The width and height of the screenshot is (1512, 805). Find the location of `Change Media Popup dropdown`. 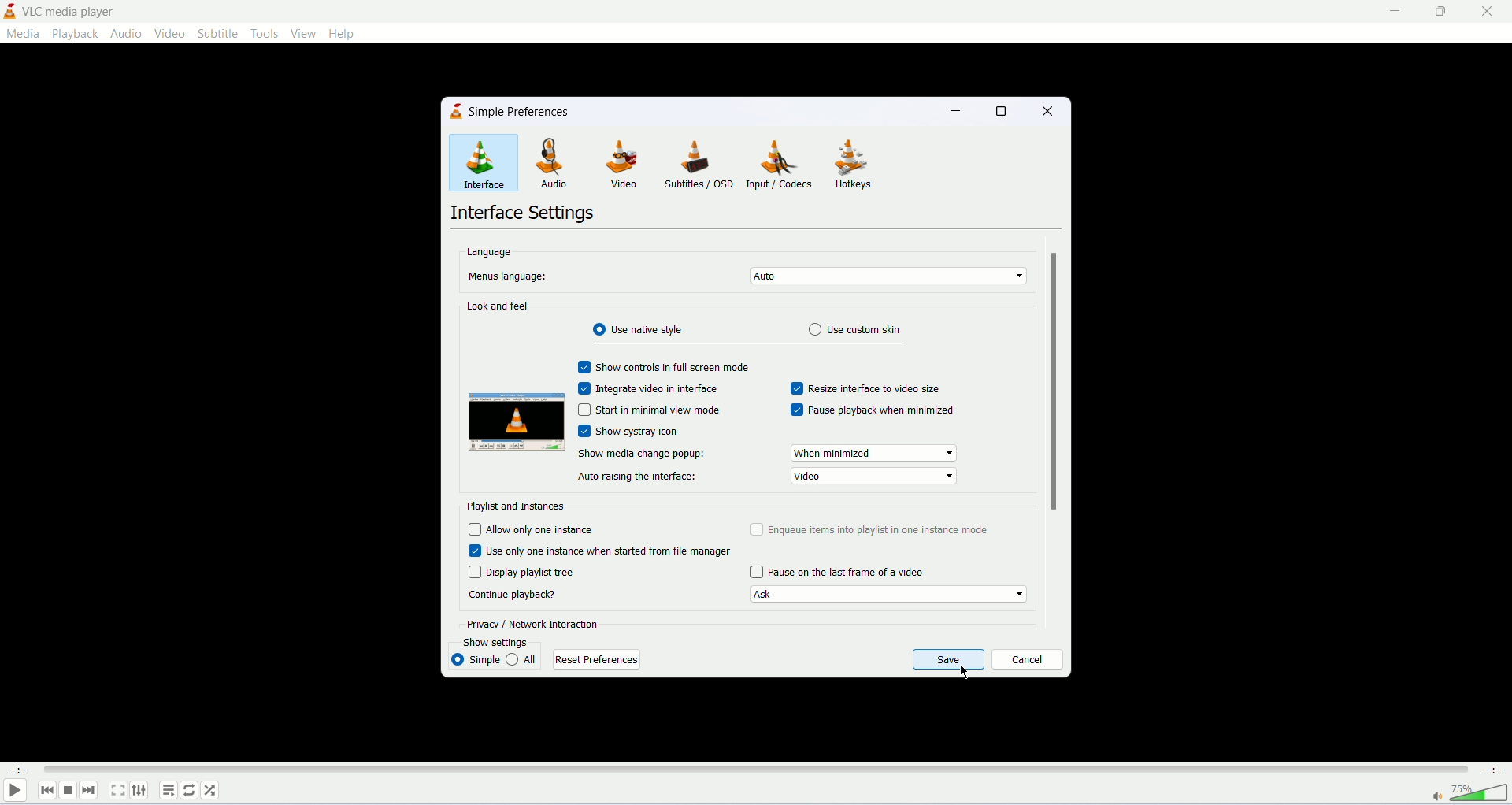

Change Media Popup dropdown is located at coordinates (876, 453).